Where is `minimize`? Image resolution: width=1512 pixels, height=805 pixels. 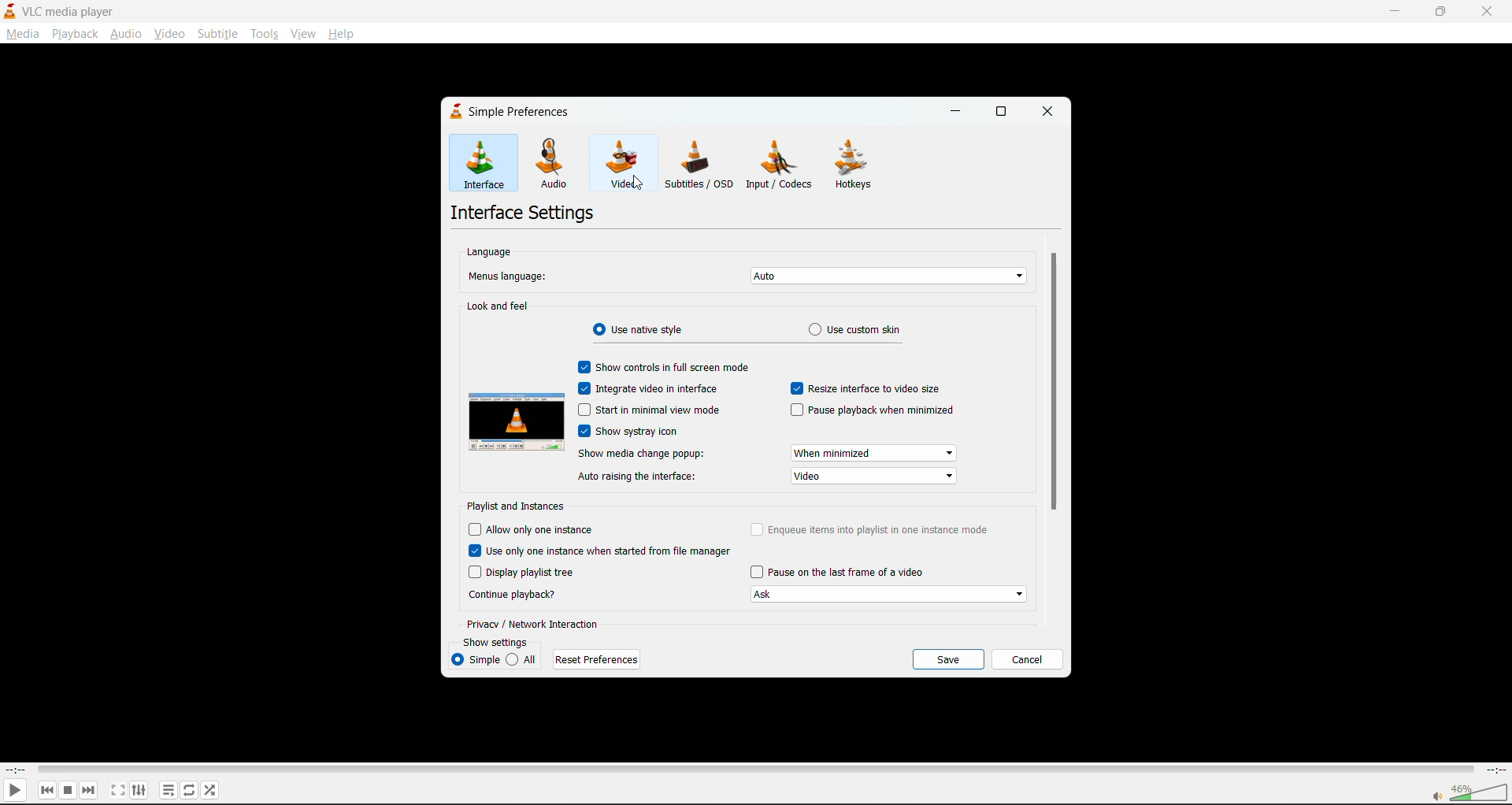
minimize is located at coordinates (1393, 12).